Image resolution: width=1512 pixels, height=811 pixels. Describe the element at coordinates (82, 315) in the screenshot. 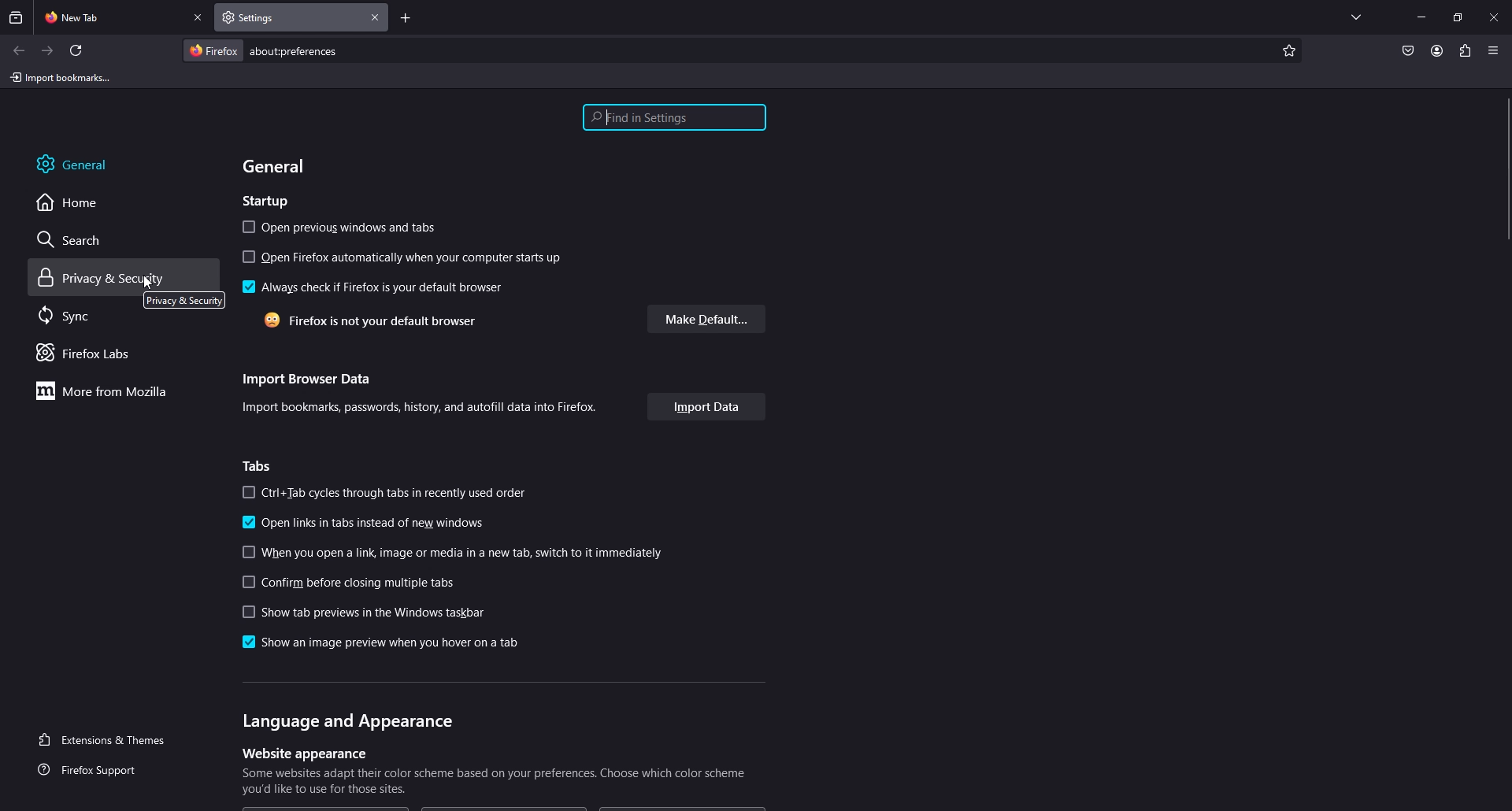

I see `sync` at that location.